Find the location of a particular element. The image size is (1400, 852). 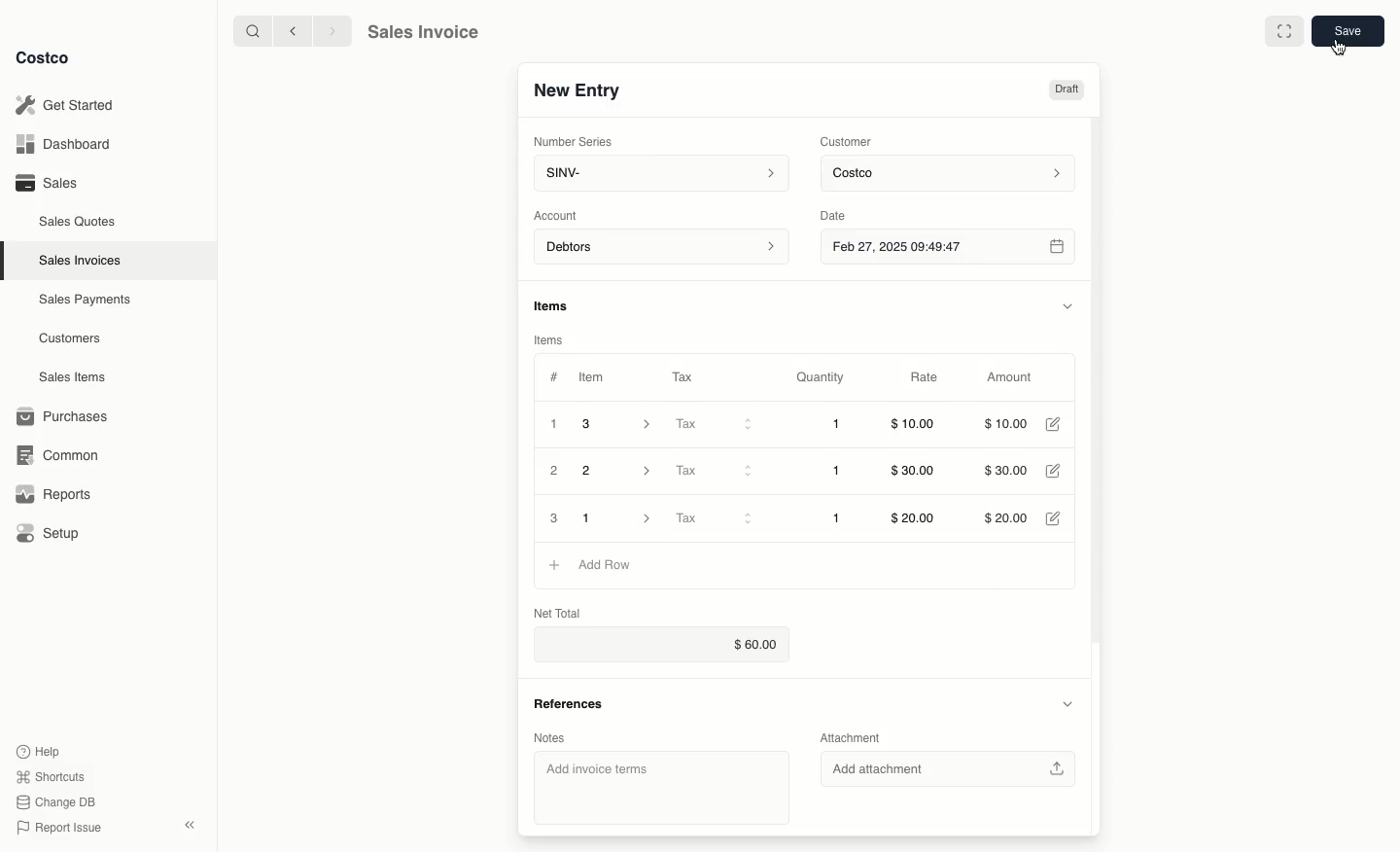

Tax is located at coordinates (712, 471).